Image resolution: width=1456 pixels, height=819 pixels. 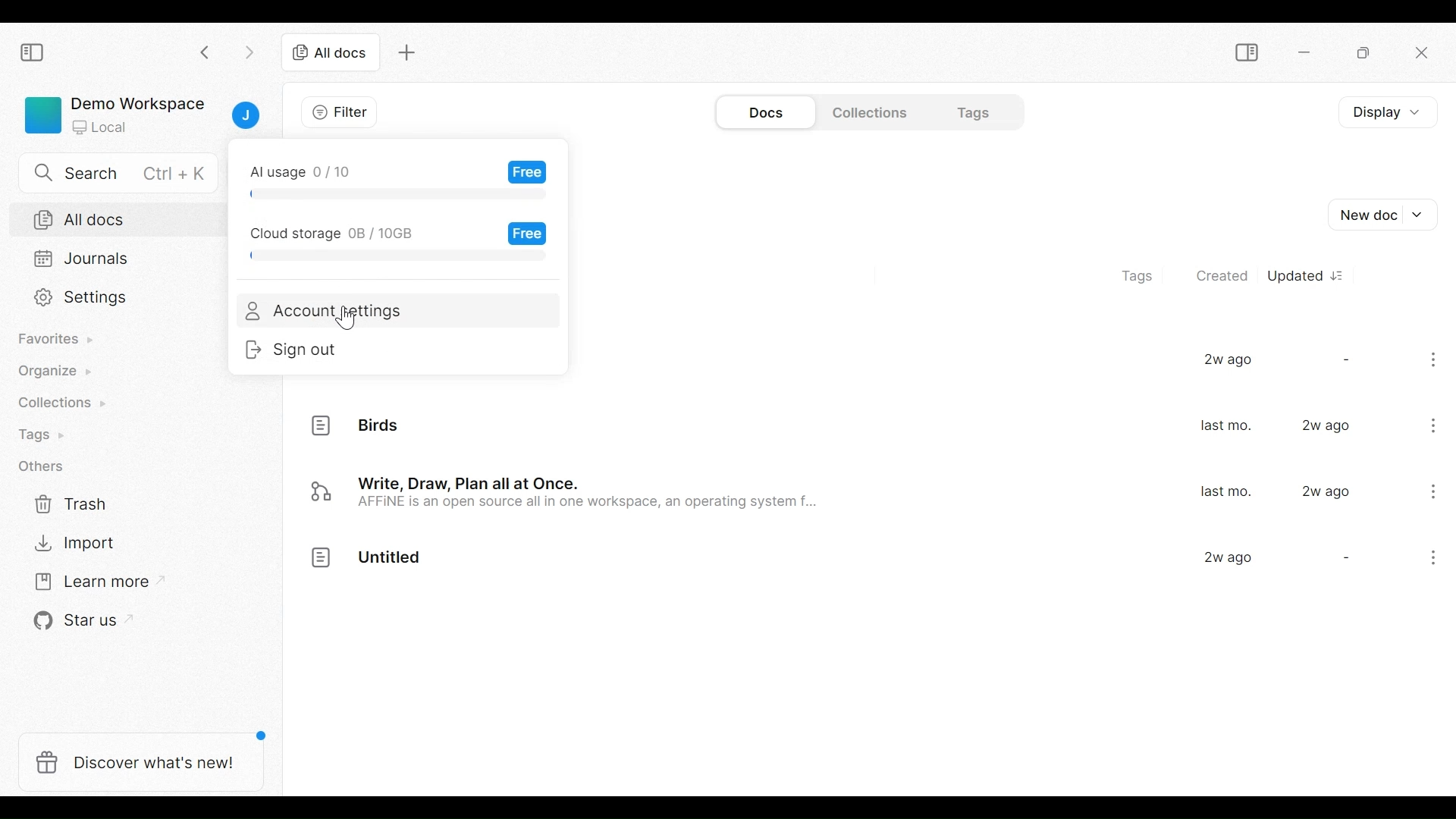 I want to click on icon, so click(x=323, y=425).